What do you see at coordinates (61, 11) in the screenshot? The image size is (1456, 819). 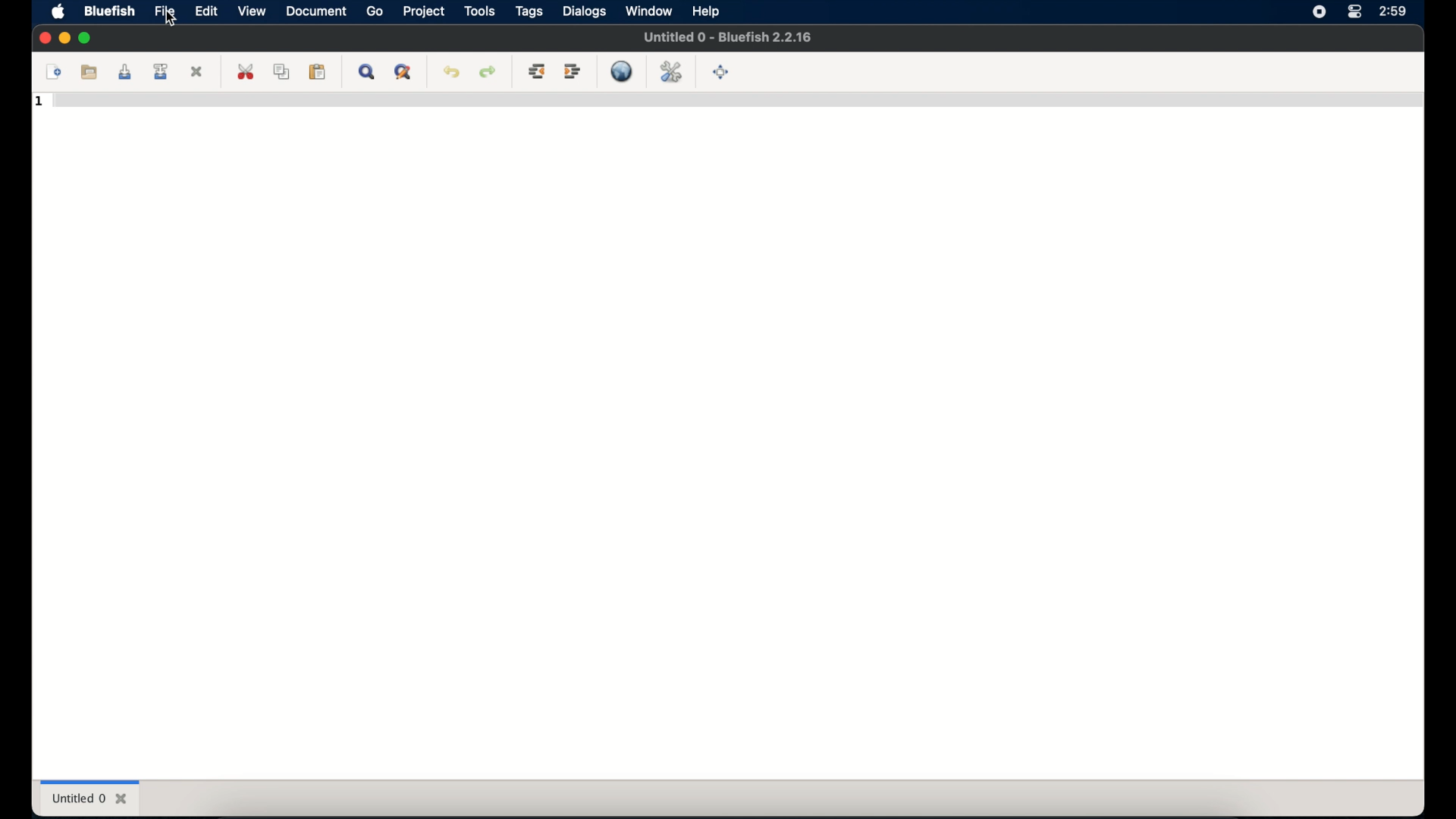 I see `apple icon` at bounding box center [61, 11].